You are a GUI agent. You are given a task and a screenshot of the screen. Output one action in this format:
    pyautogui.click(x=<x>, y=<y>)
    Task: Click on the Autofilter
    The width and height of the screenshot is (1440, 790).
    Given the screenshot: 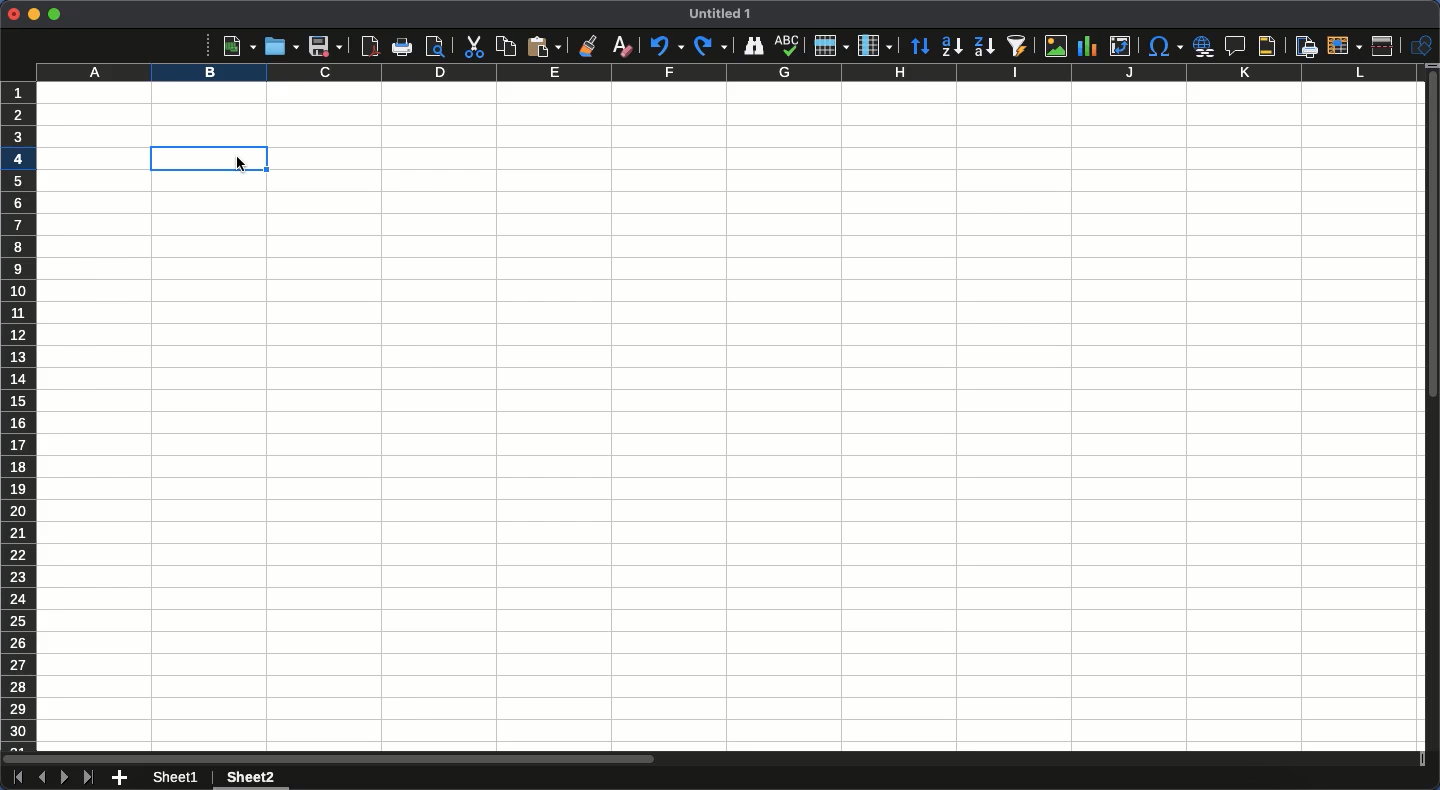 What is the action you would take?
    pyautogui.click(x=1016, y=46)
    